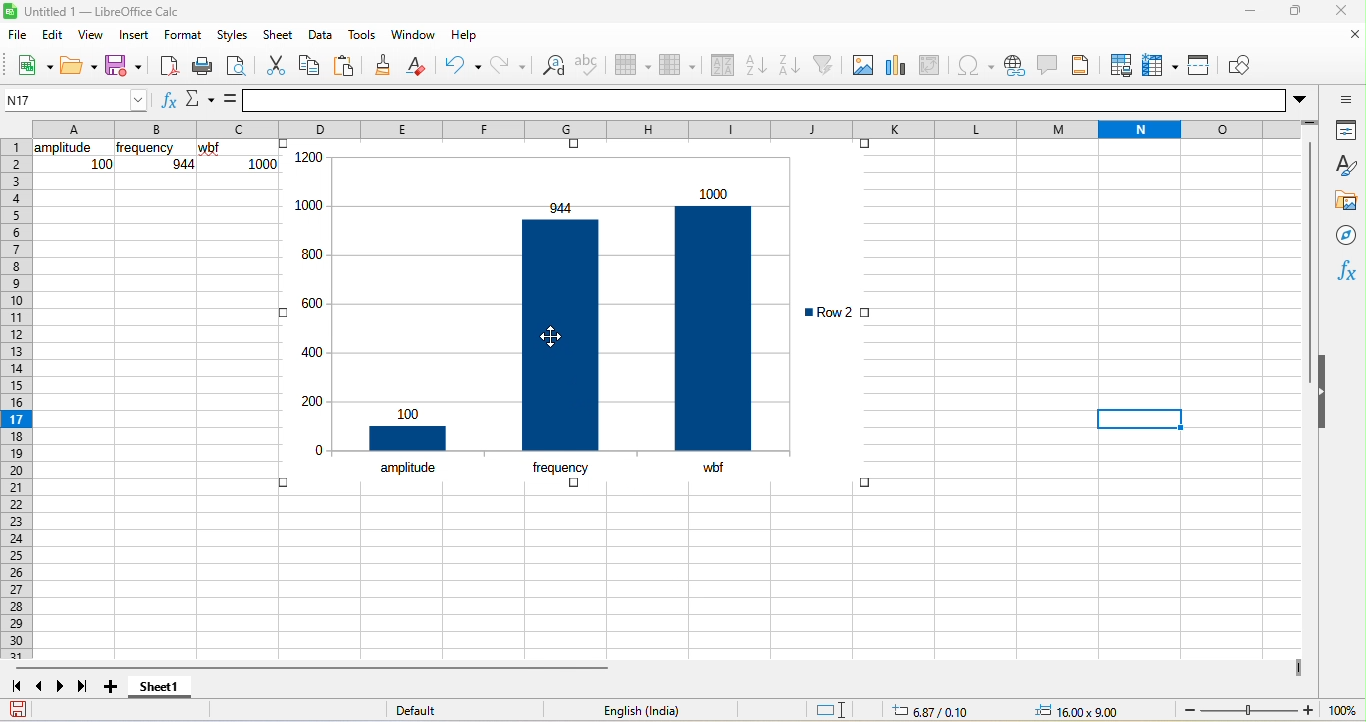 This screenshot has width=1366, height=722. What do you see at coordinates (1324, 396) in the screenshot?
I see `hide` at bounding box center [1324, 396].